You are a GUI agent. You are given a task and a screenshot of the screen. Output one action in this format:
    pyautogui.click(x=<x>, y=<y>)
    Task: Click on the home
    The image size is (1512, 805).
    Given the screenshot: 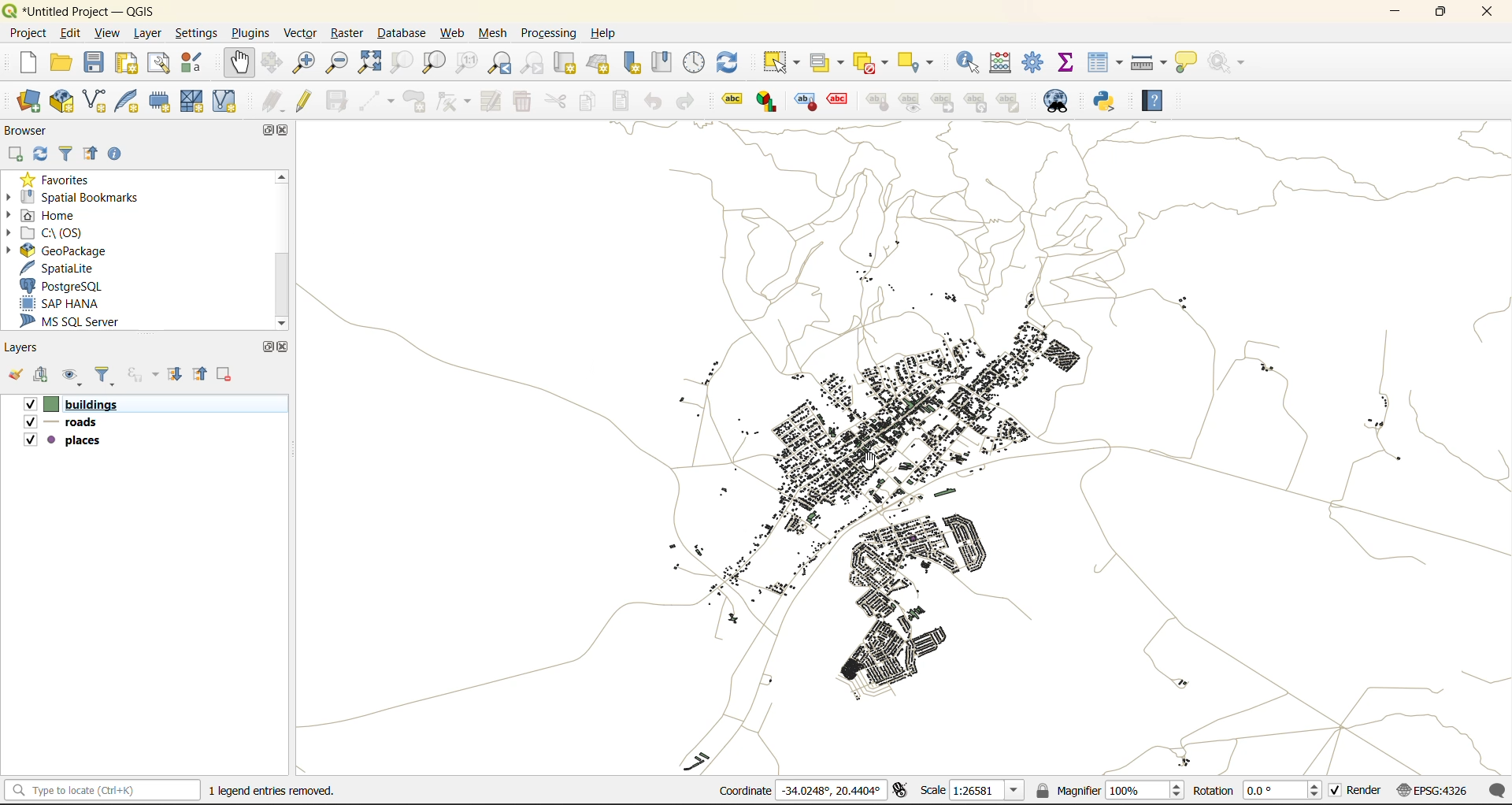 What is the action you would take?
    pyautogui.click(x=47, y=214)
    